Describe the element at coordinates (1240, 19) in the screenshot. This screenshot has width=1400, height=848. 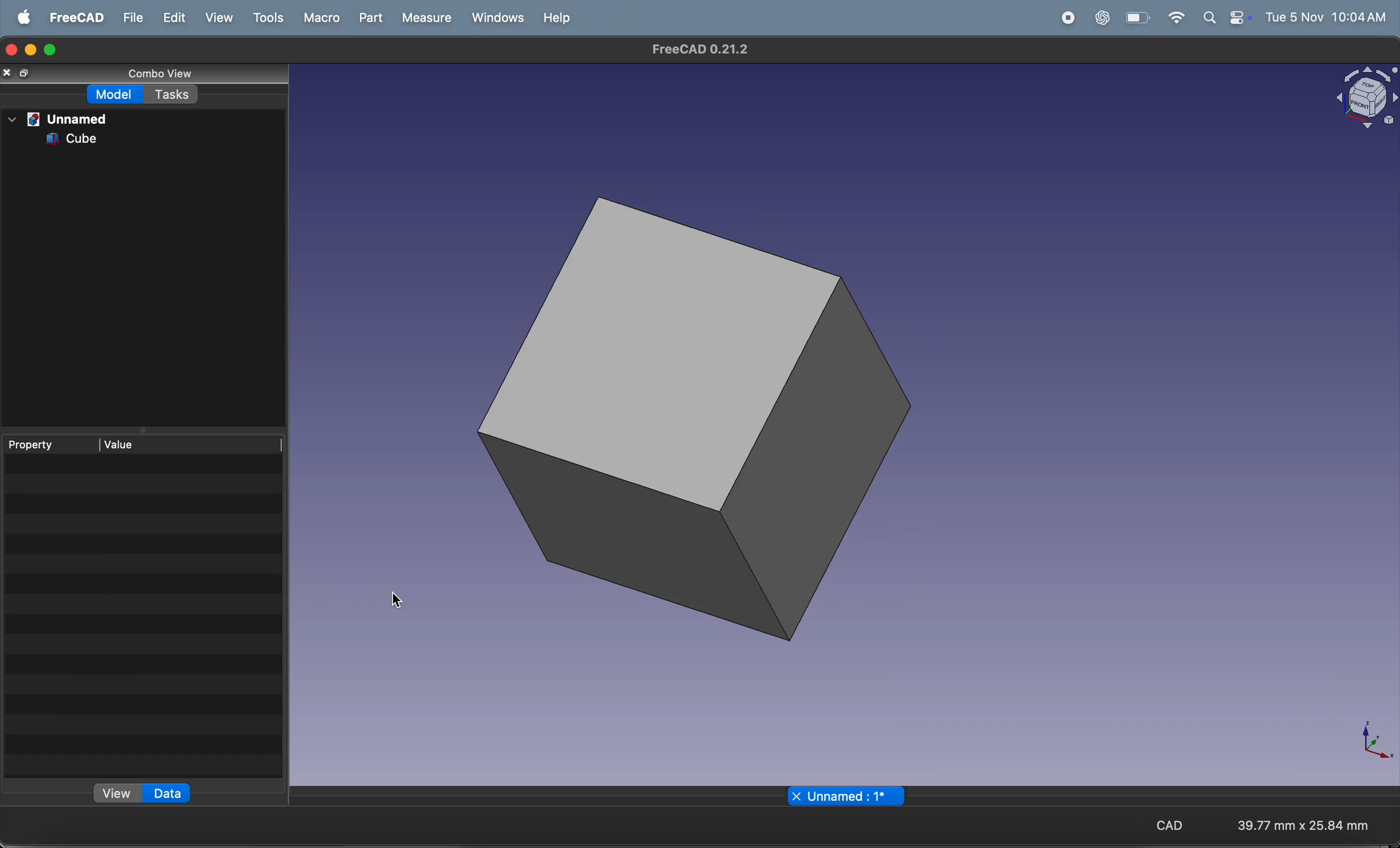
I see `battery` at that location.